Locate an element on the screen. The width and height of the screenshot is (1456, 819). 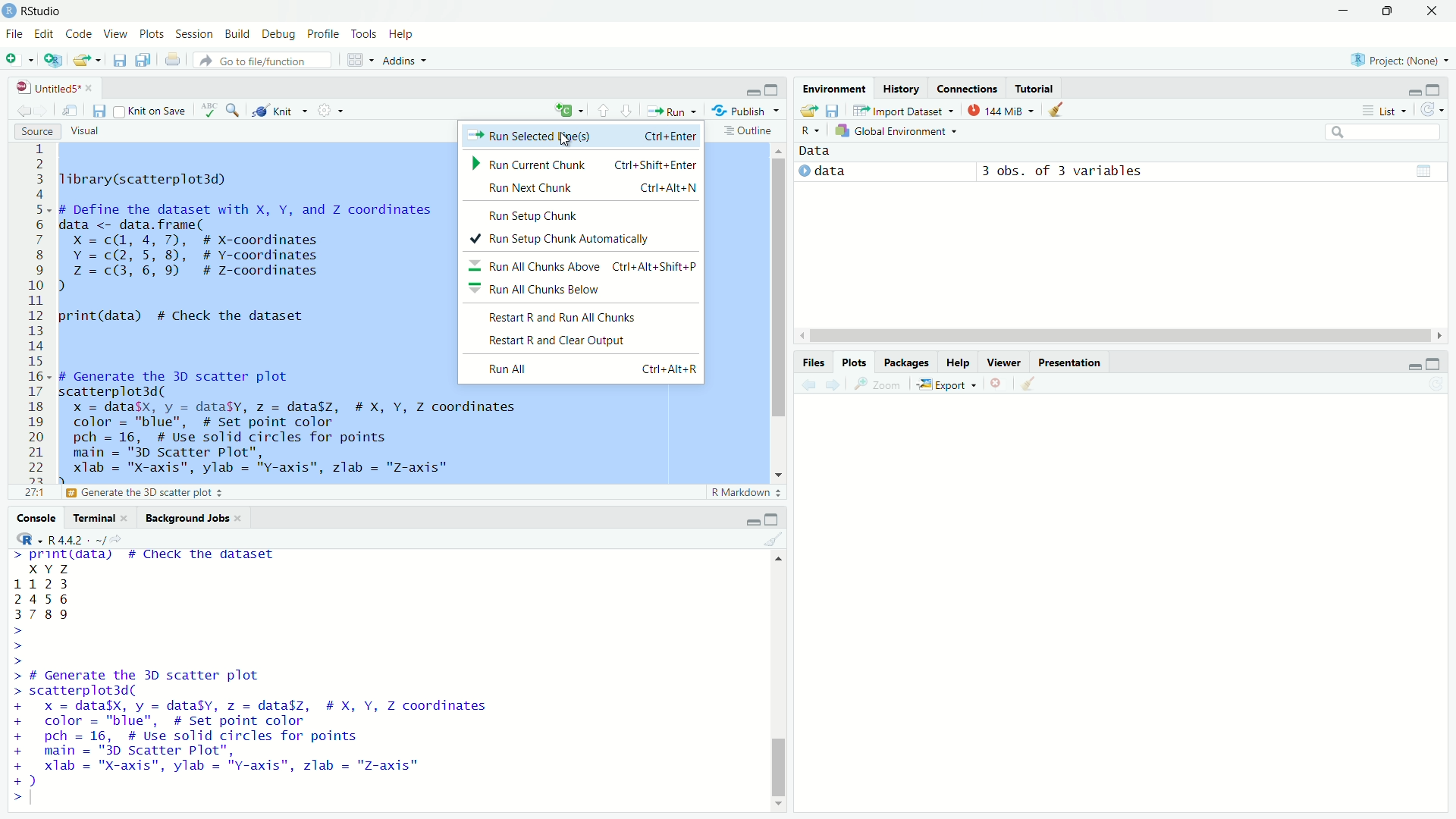
prompt  cursor is located at coordinates (12, 800).